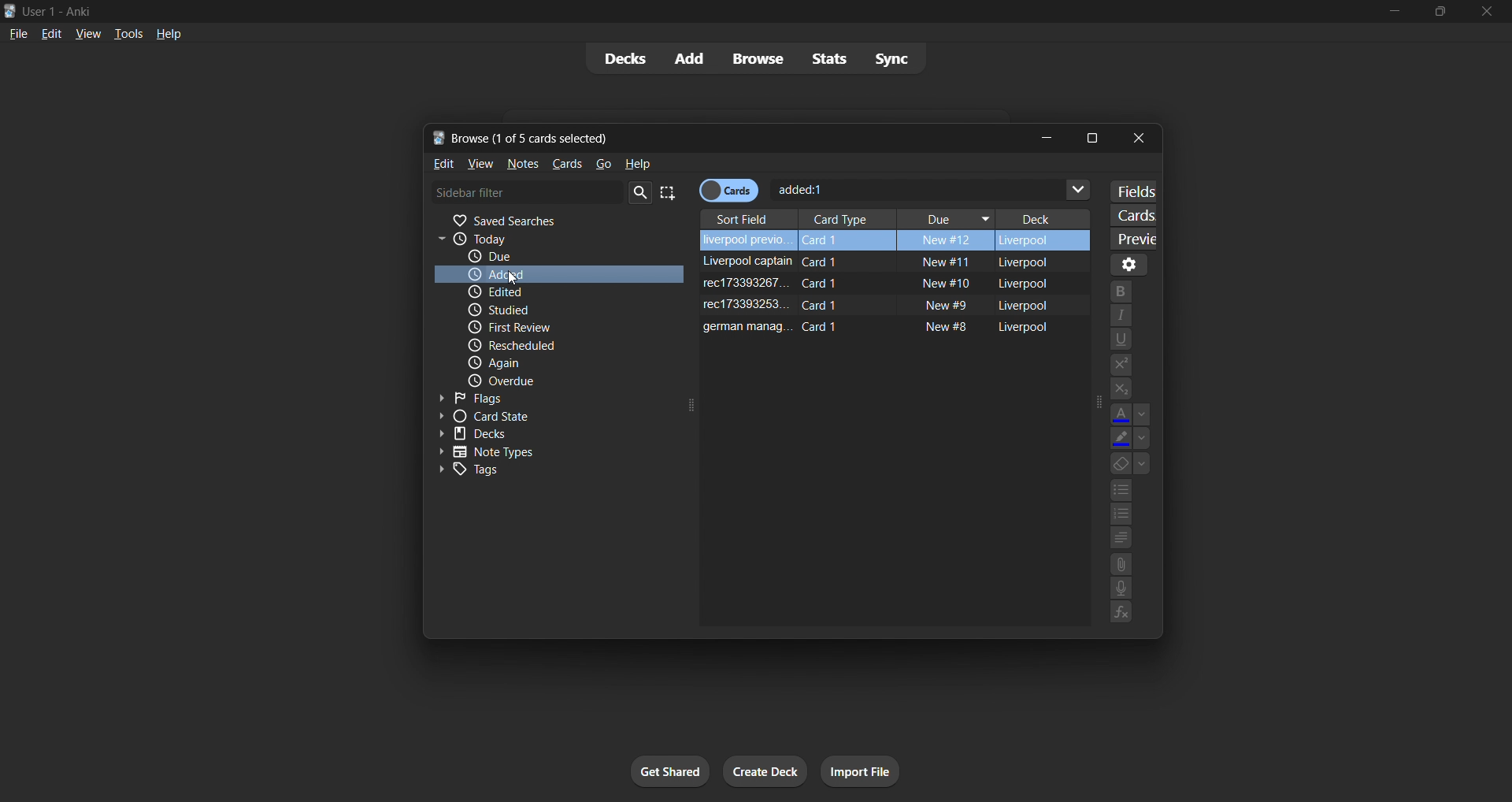 The height and width of the screenshot is (802, 1512). What do you see at coordinates (680, 56) in the screenshot?
I see `add` at bounding box center [680, 56].